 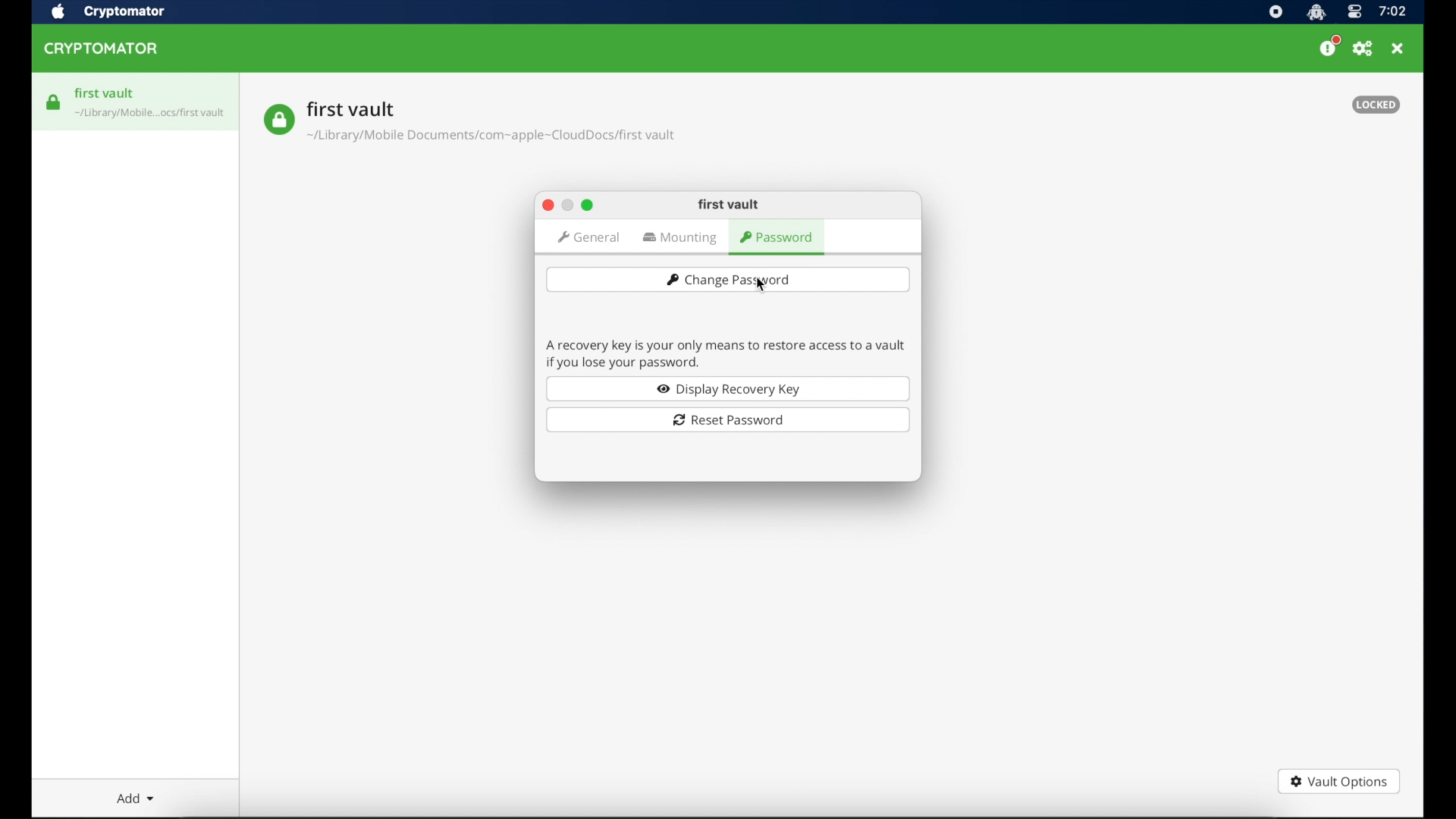 What do you see at coordinates (759, 284) in the screenshot?
I see `cursor` at bounding box center [759, 284].